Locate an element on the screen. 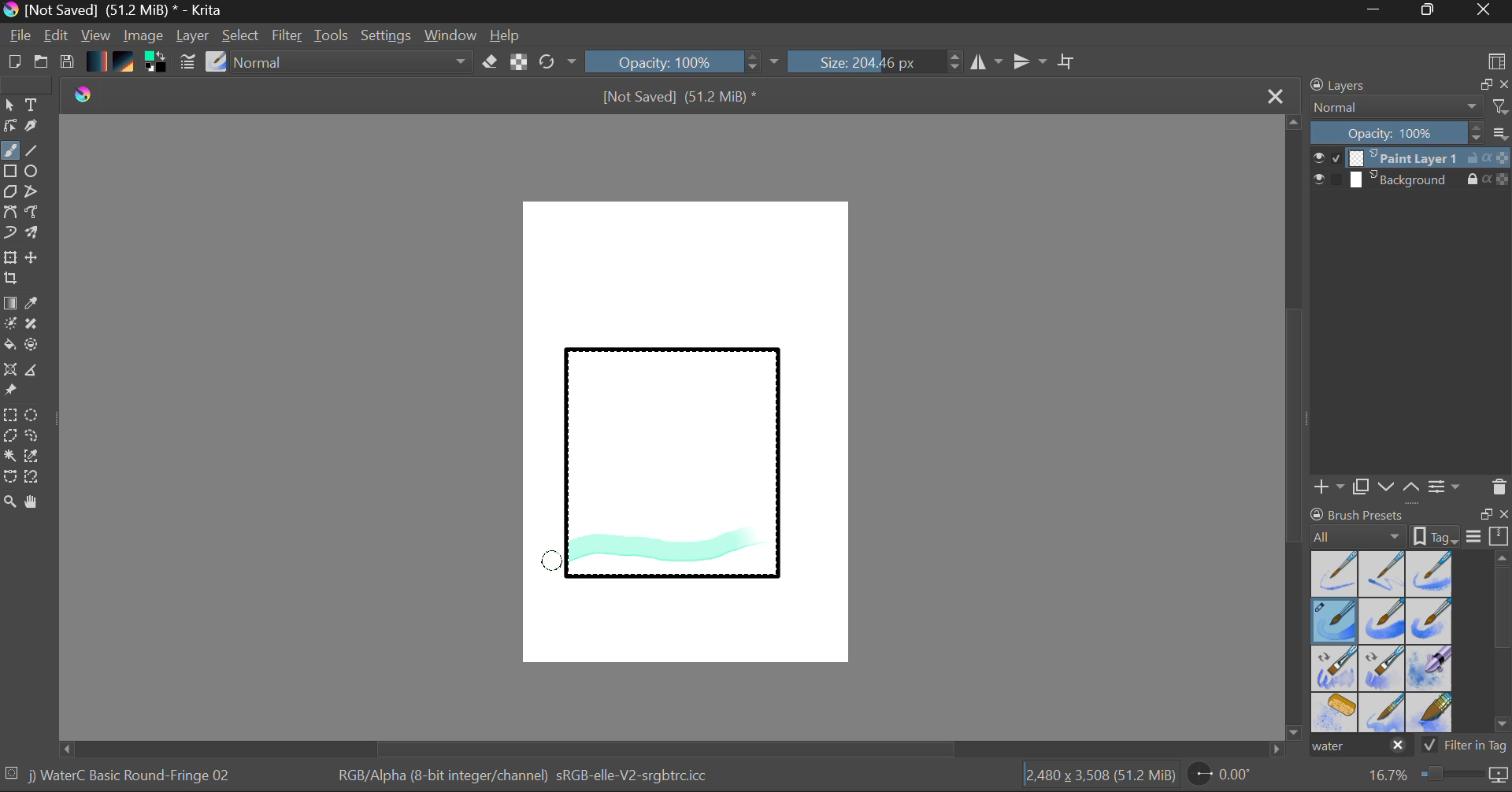 This screenshot has width=1512, height=792. Scroll Bar is located at coordinates (1503, 645).